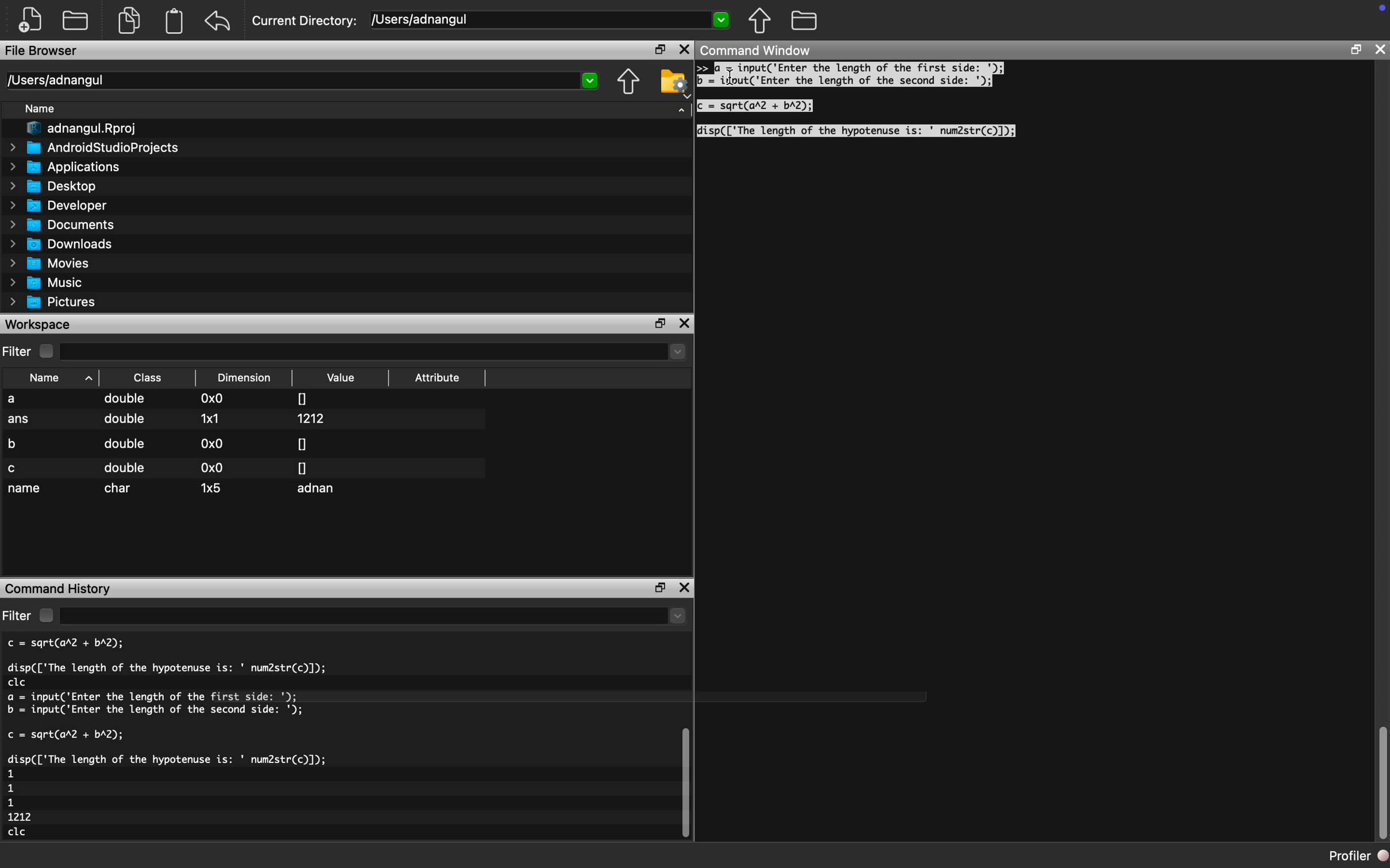 The height and width of the screenshot is (868, 1390). Describe the element at coordinates (53, 283) in the screenshot. I see `Music` at that location.